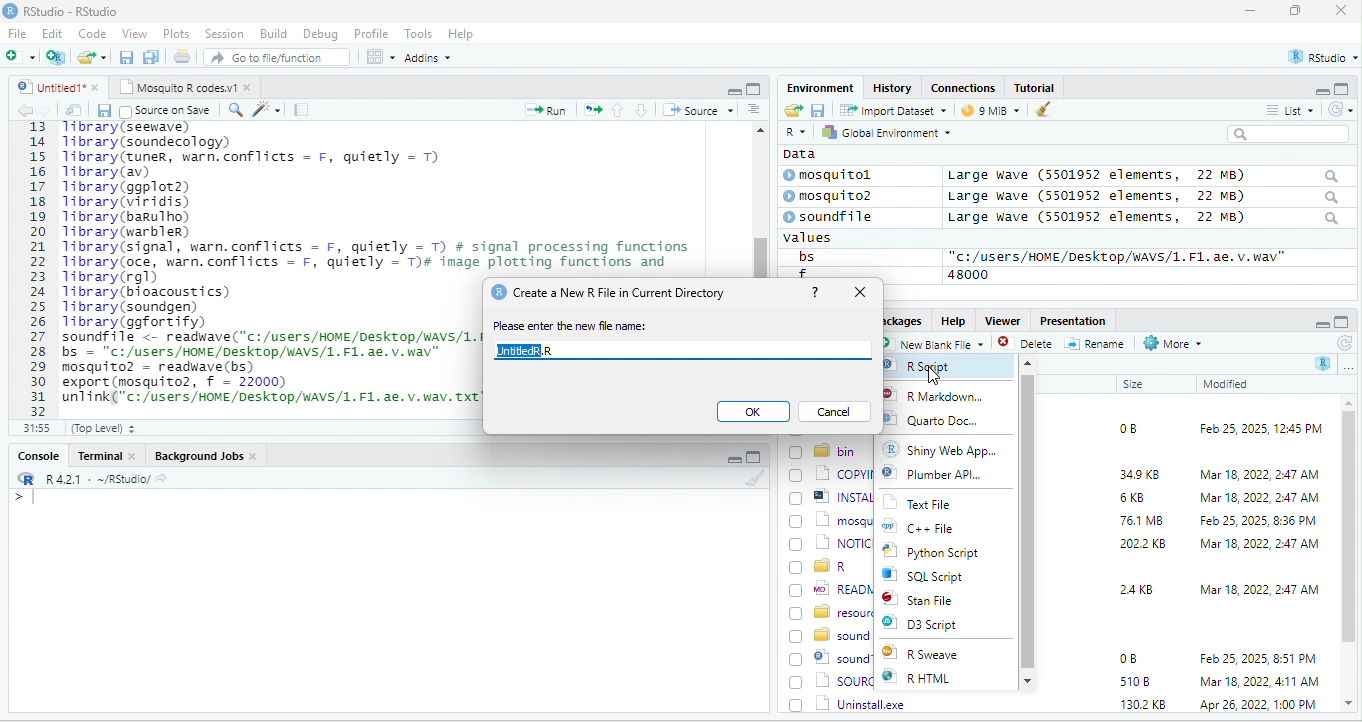 Image resolution: width=1362 pixels, height=722 pixels. Describe the element at coordinates (753, 413) in the screenshot. I see `0K` at that location.